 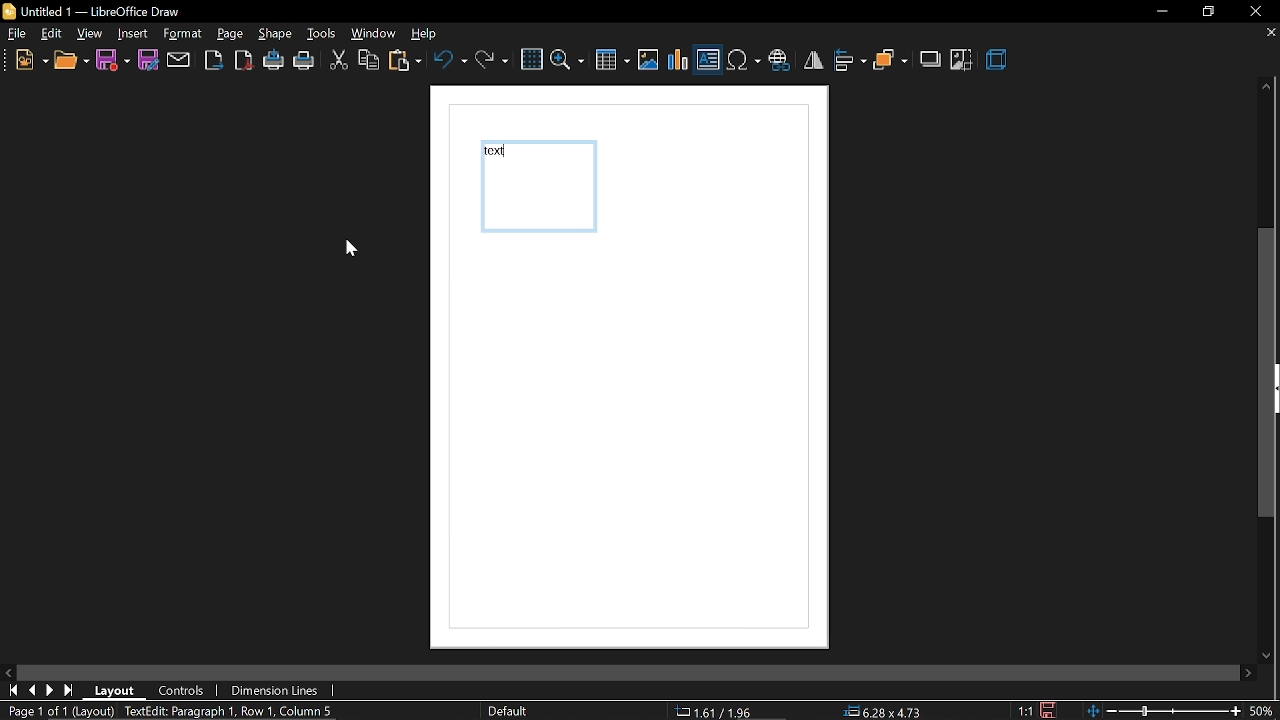 I want to click on format, so click(x=182, y=33).